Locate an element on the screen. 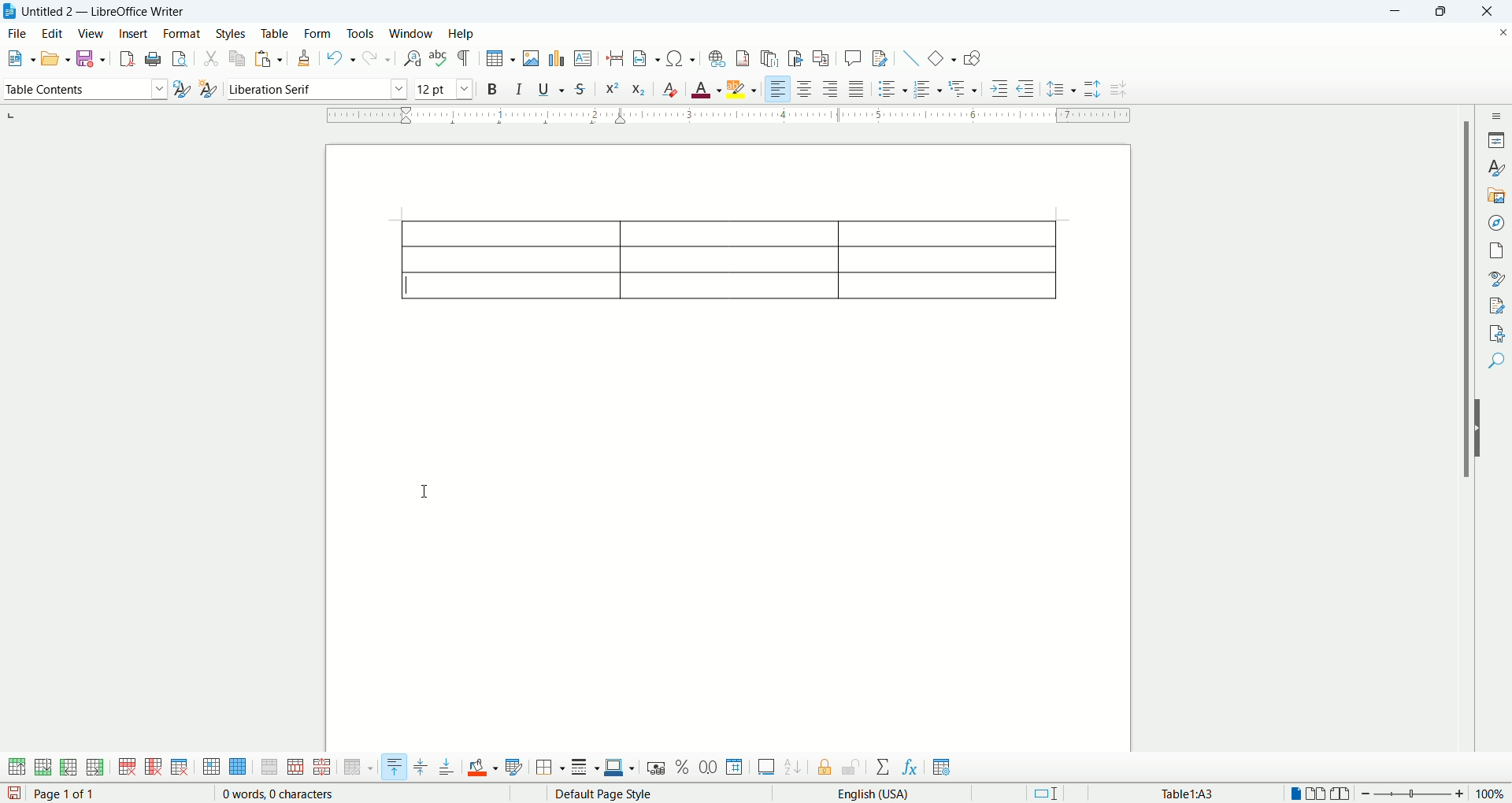 The image size is (1512, 803). vertical scroll bar is located at coordinates (1466, 446).